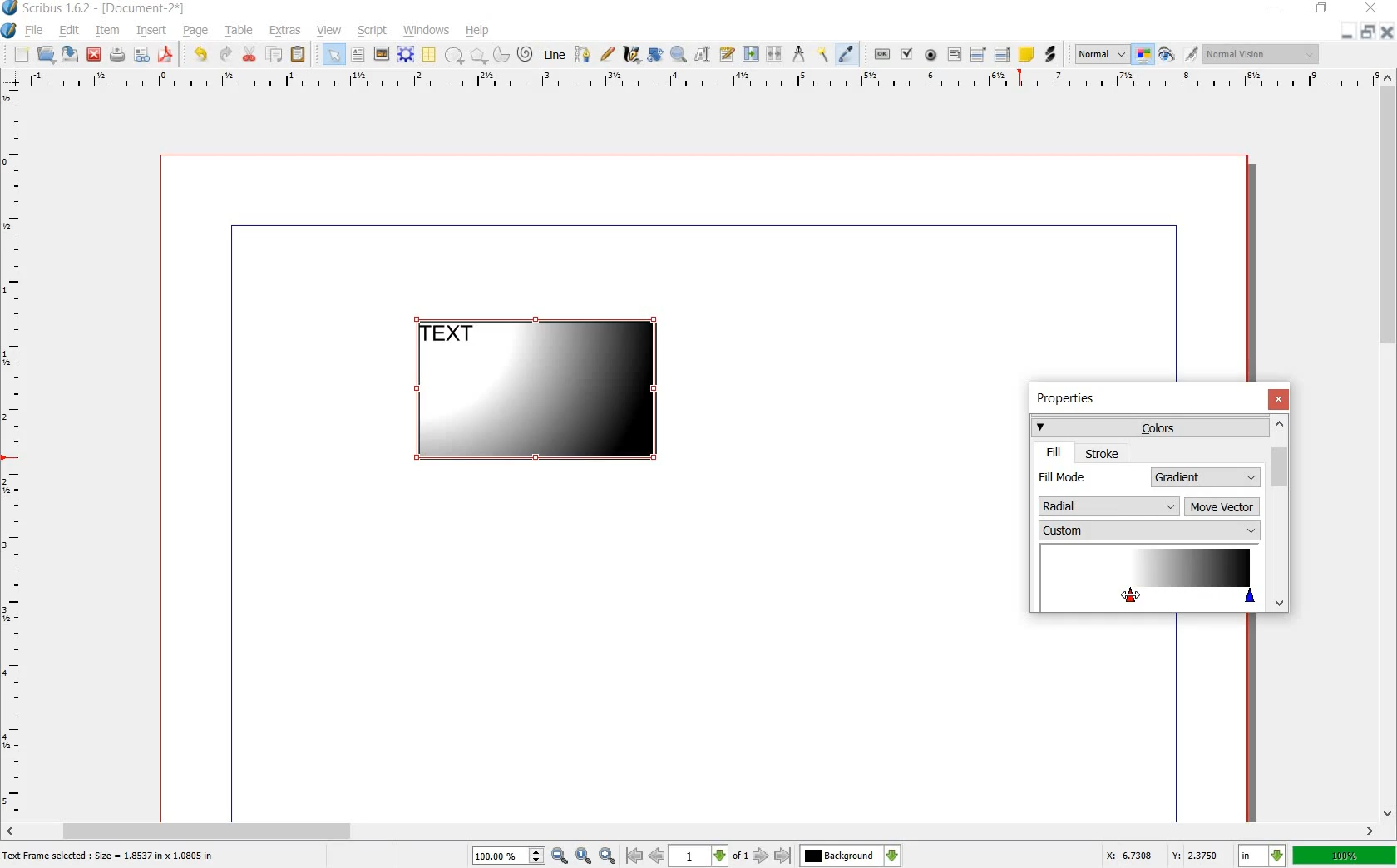 This screenshot has width=1397, height=868. I want to click on shape, so click(454, 56).